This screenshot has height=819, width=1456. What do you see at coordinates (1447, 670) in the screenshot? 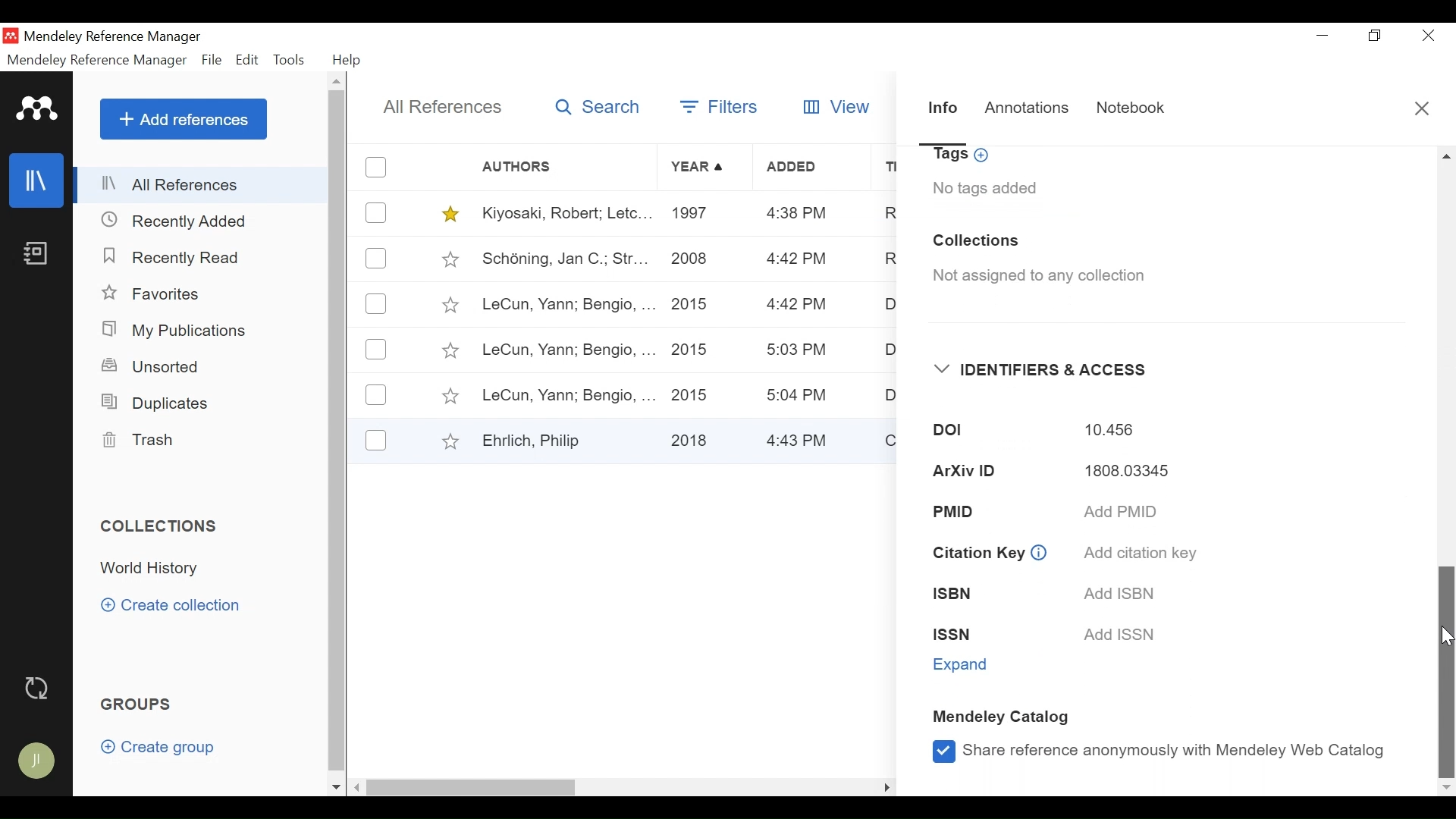
I see `Vertical Scroll bar` at bounding box center [1447, 670].